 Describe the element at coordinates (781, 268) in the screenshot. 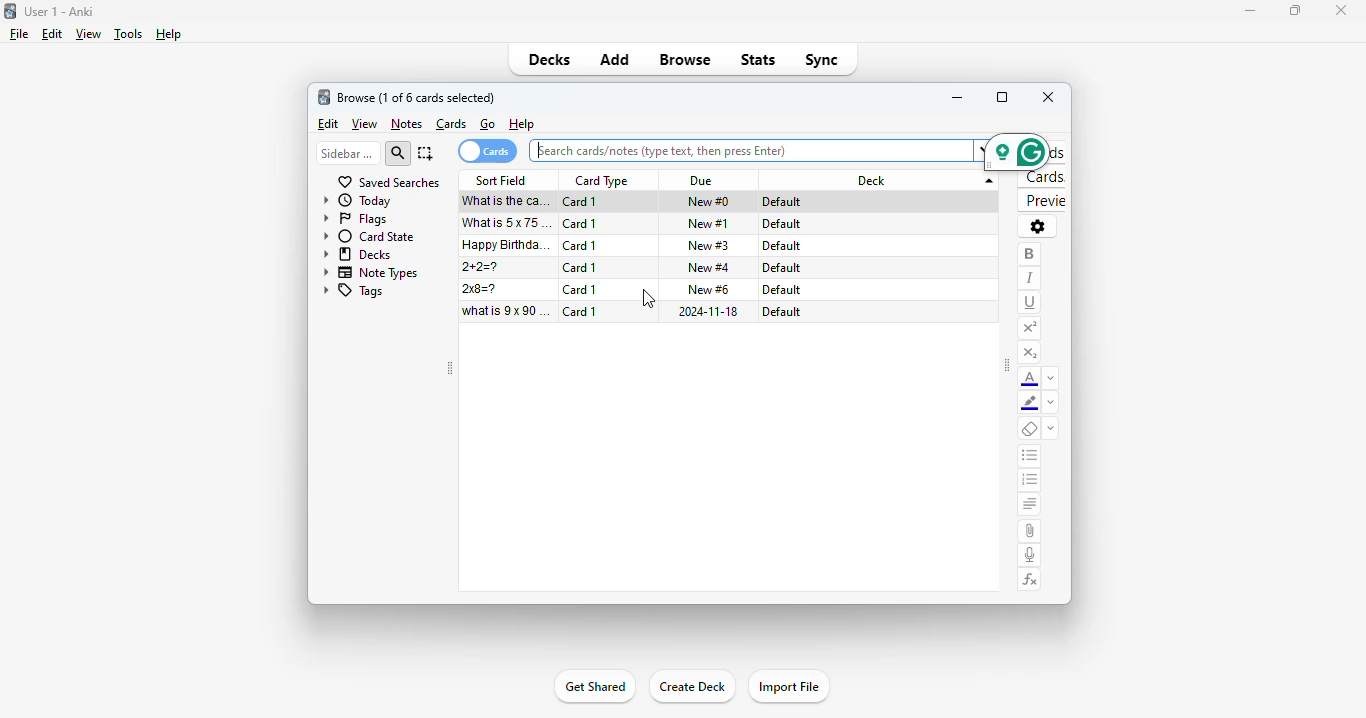

I see `default` at that location.